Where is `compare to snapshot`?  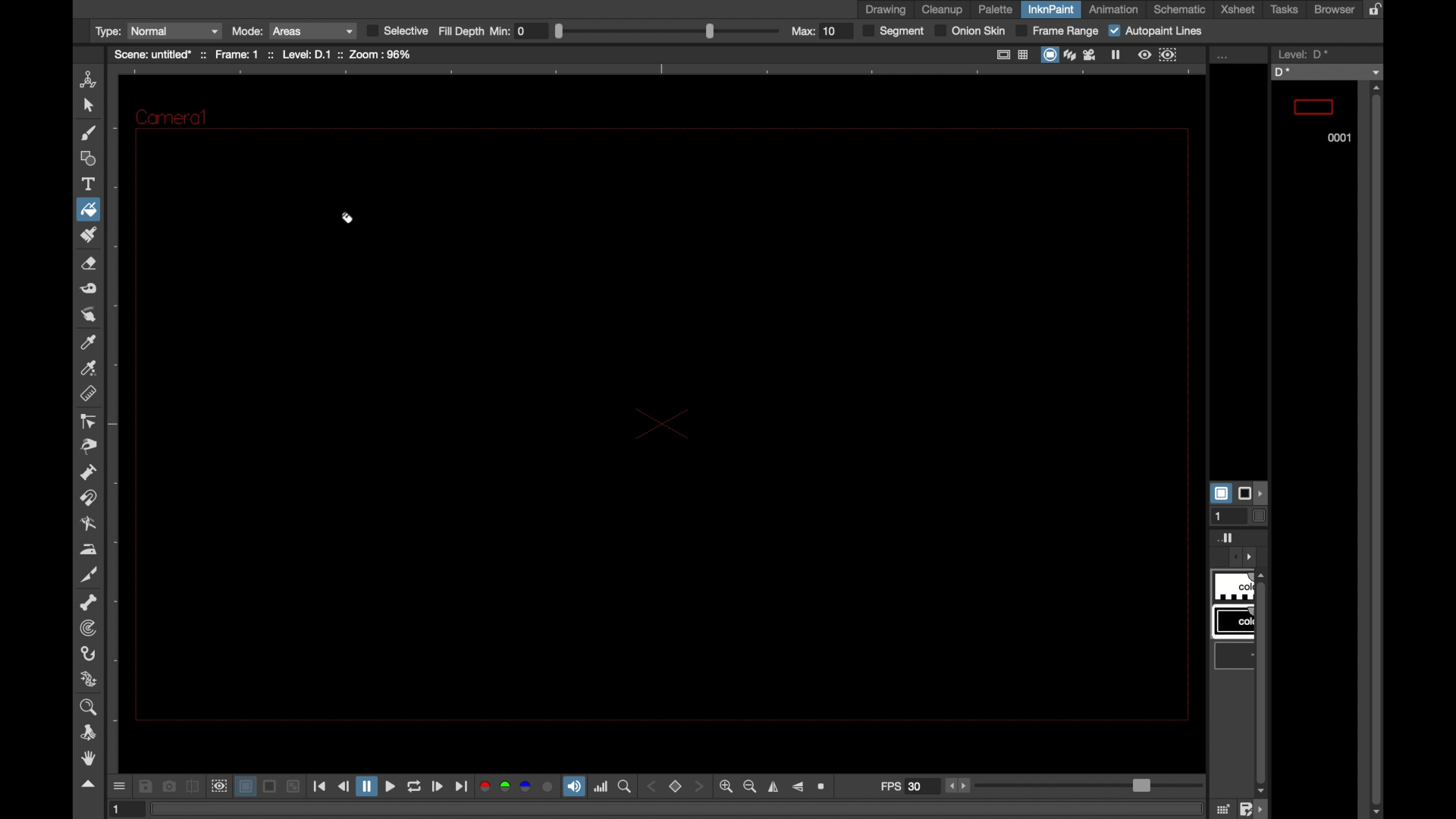
compare to snapshot is located at coordinates (193, 786).